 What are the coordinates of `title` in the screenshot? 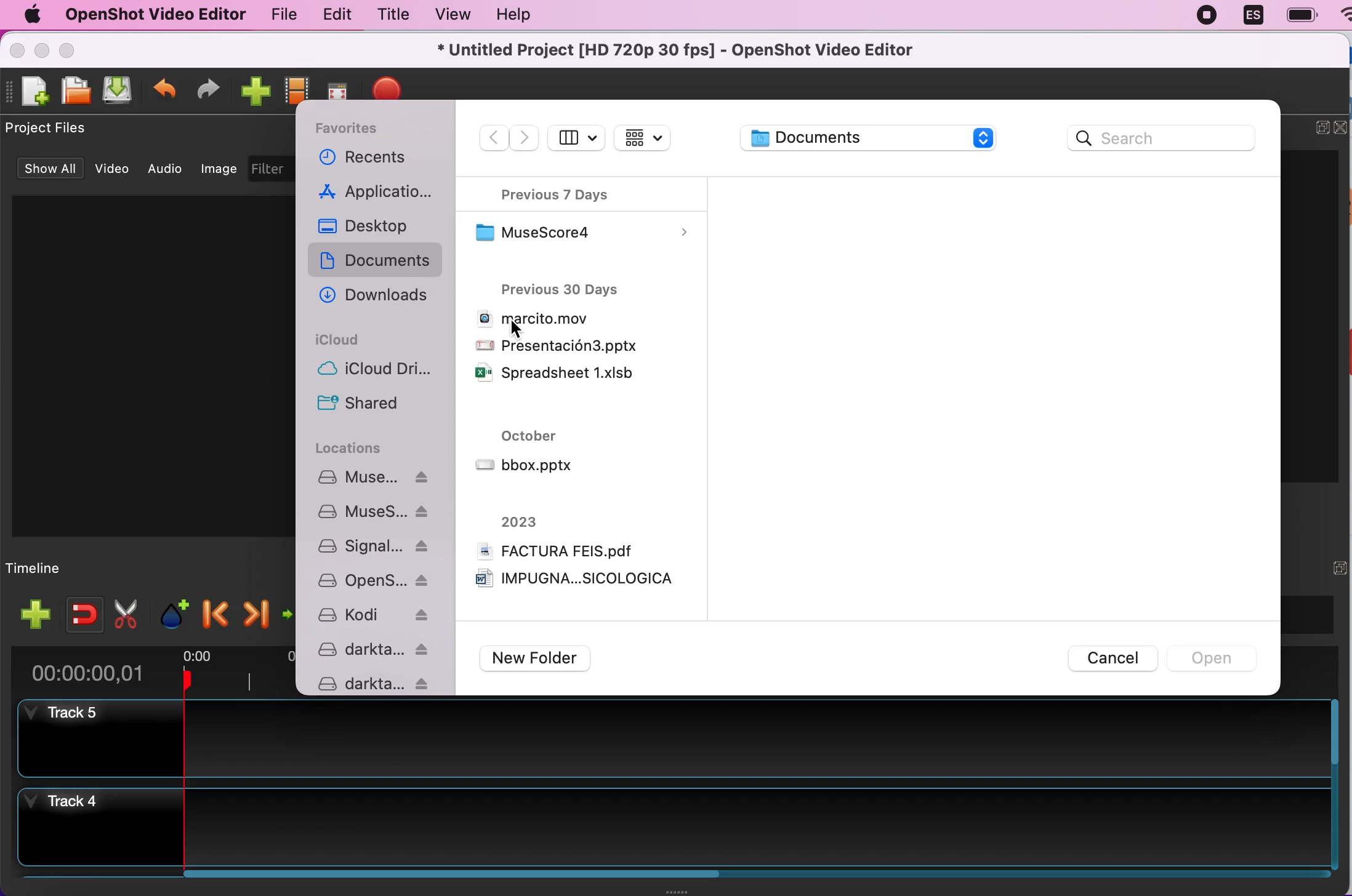 It's located at (683, 51).